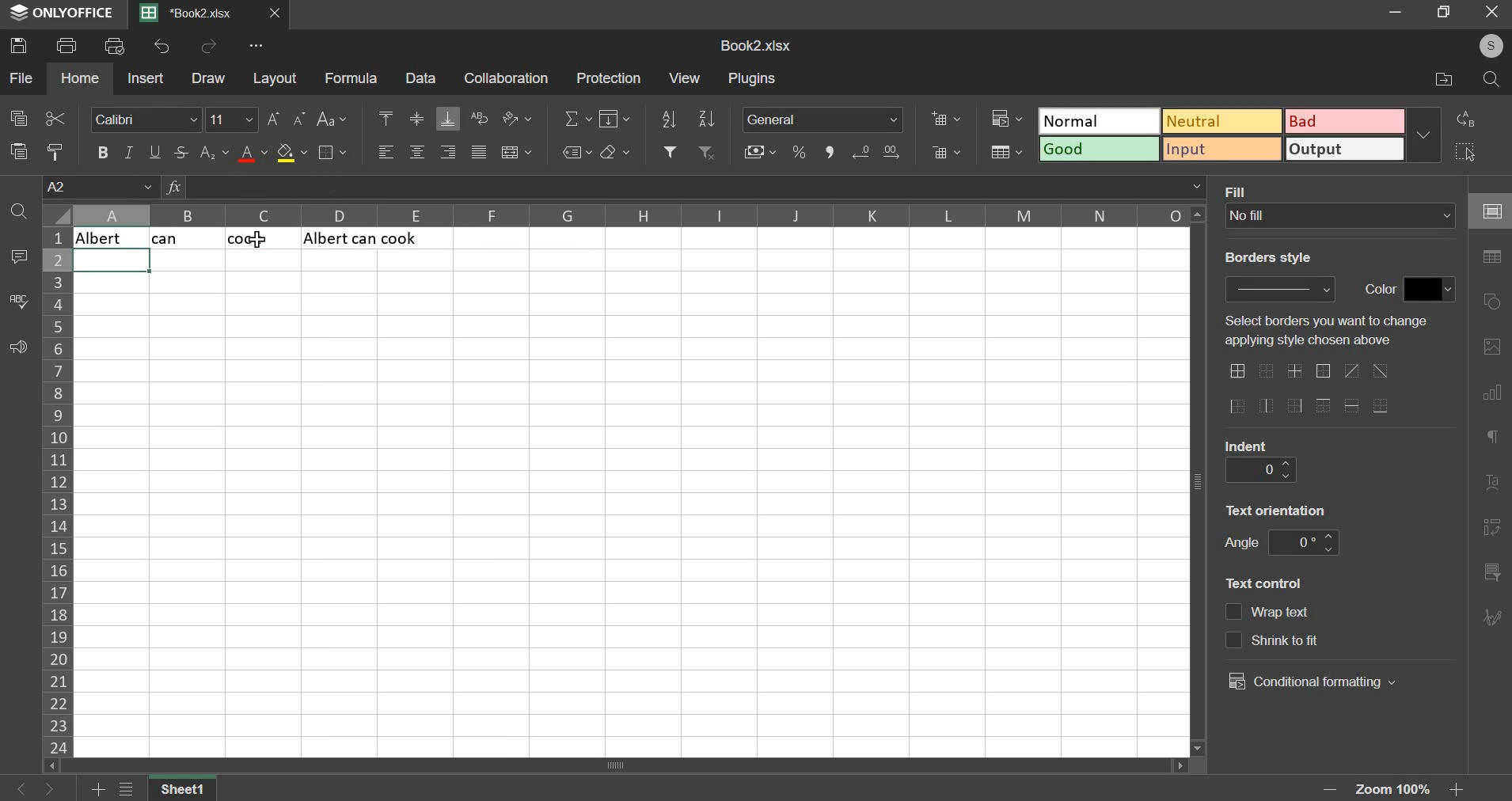 Image resolution: width=1512 pixels, height=801 pixels. I want to click on align top, so click(386, 119).